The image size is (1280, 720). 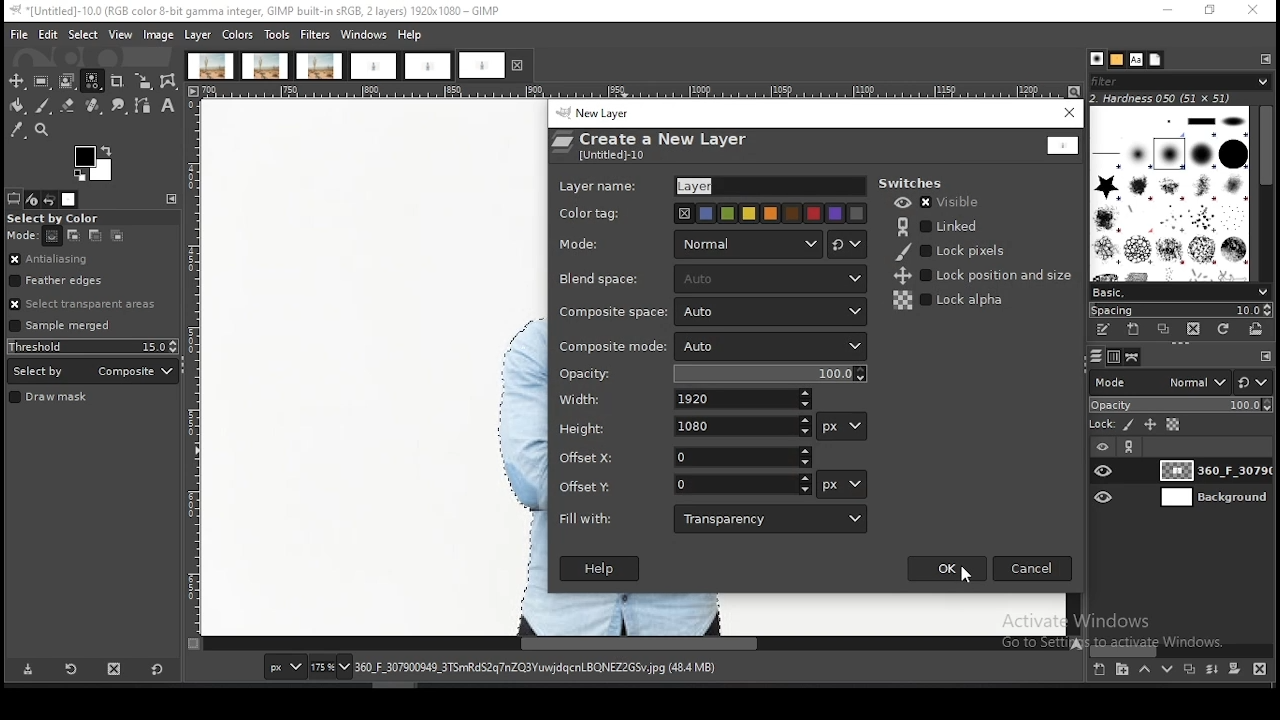 What do you see at coordinates (85, 34) in the screenshot?
I see `select` at bounding box center [85, 34].